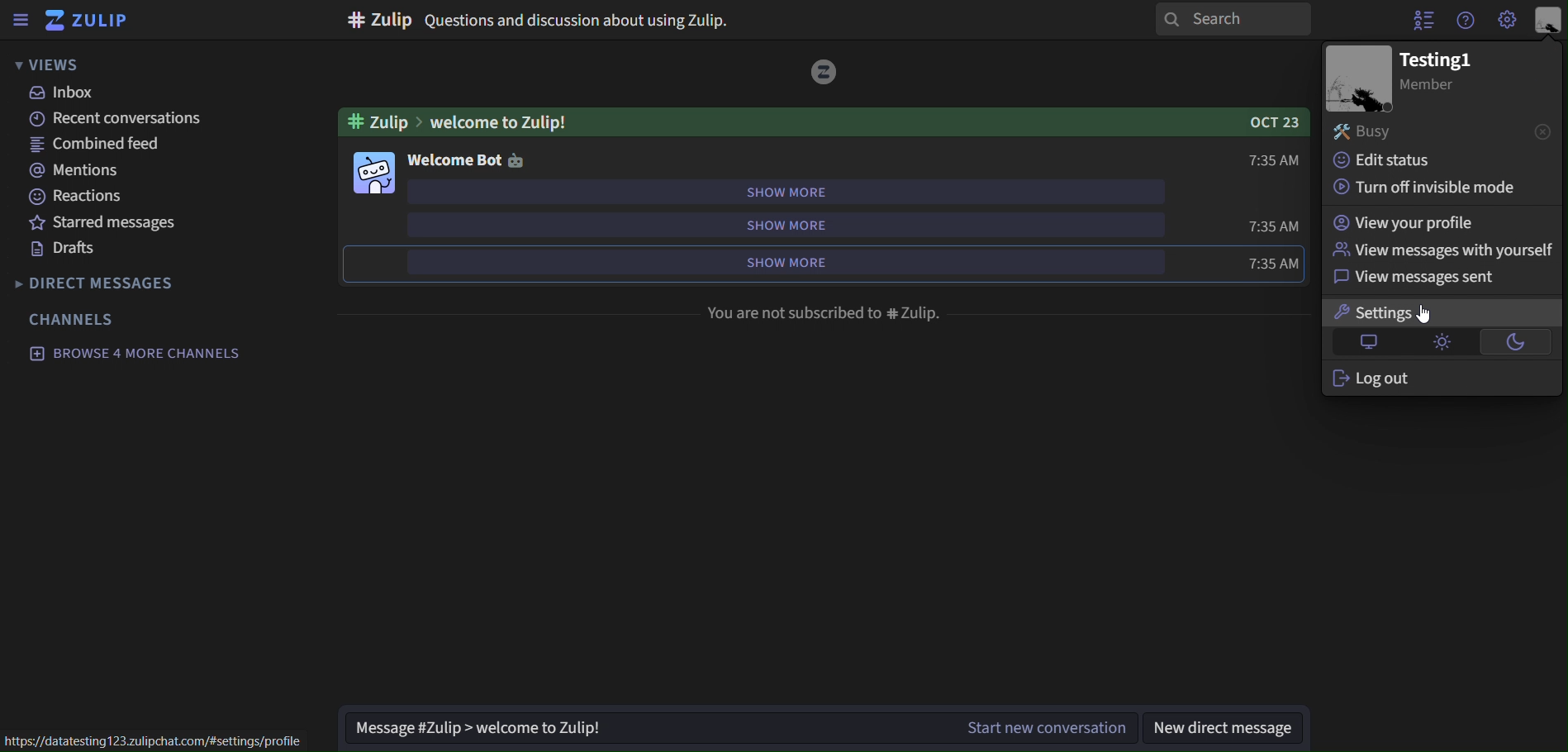 The height and width of the screenshot is (752, 1568). I want to click on 7:35 AM, so click(1271, 226).